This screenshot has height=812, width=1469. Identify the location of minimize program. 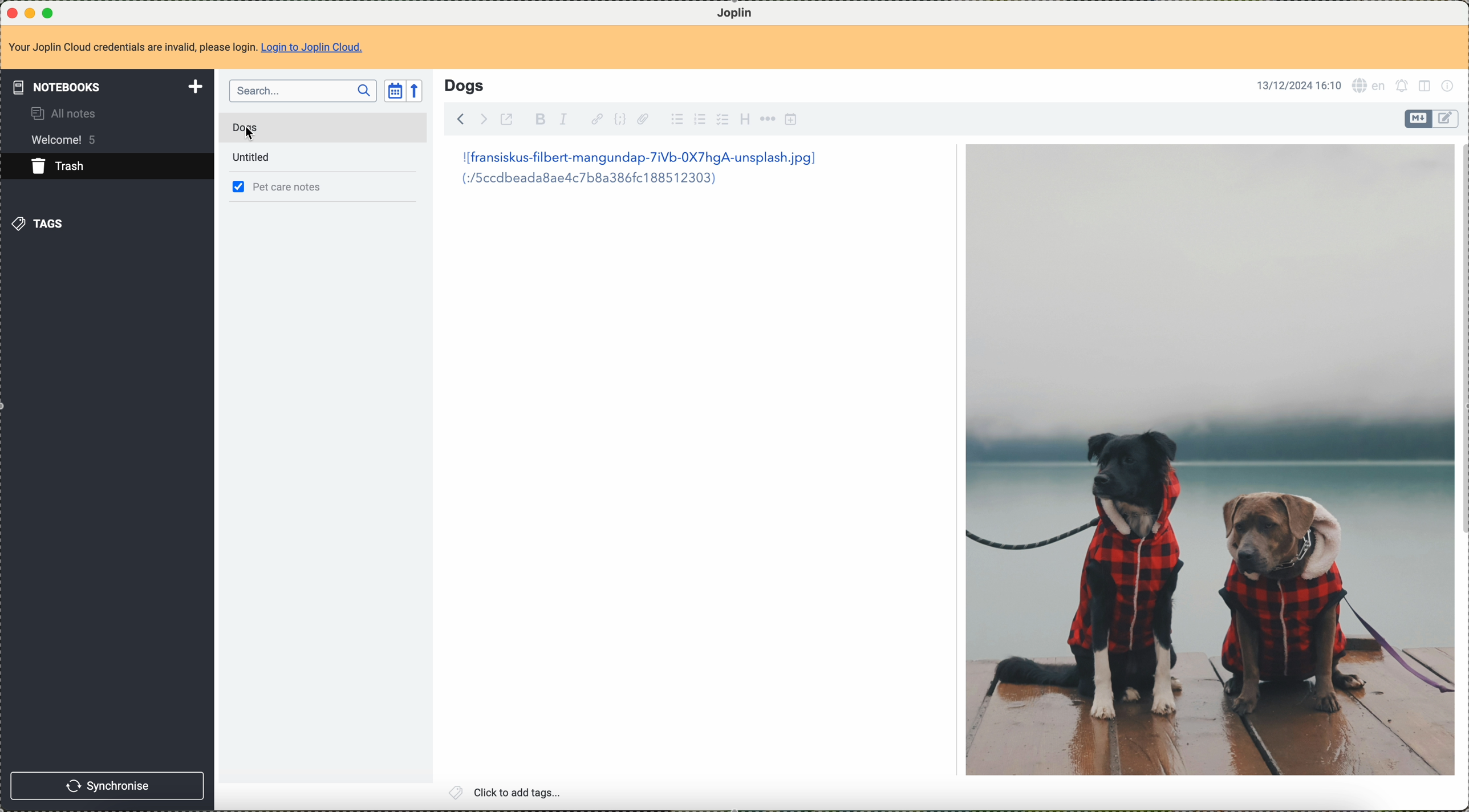
(30, 11).